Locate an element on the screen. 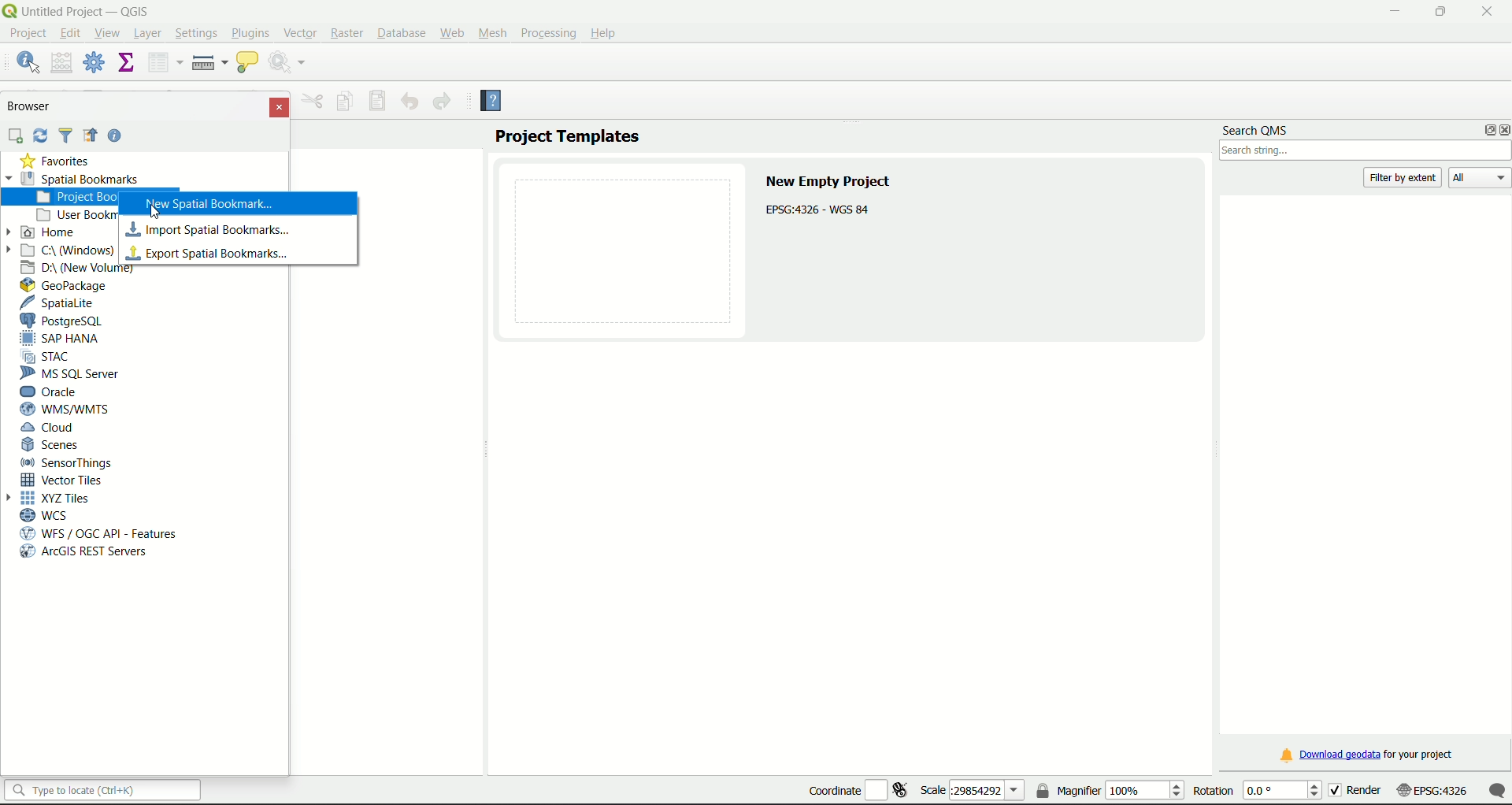 The height and width of the screenshot is (805, 1512). Sensor Things is located at coordinates (70, 463).